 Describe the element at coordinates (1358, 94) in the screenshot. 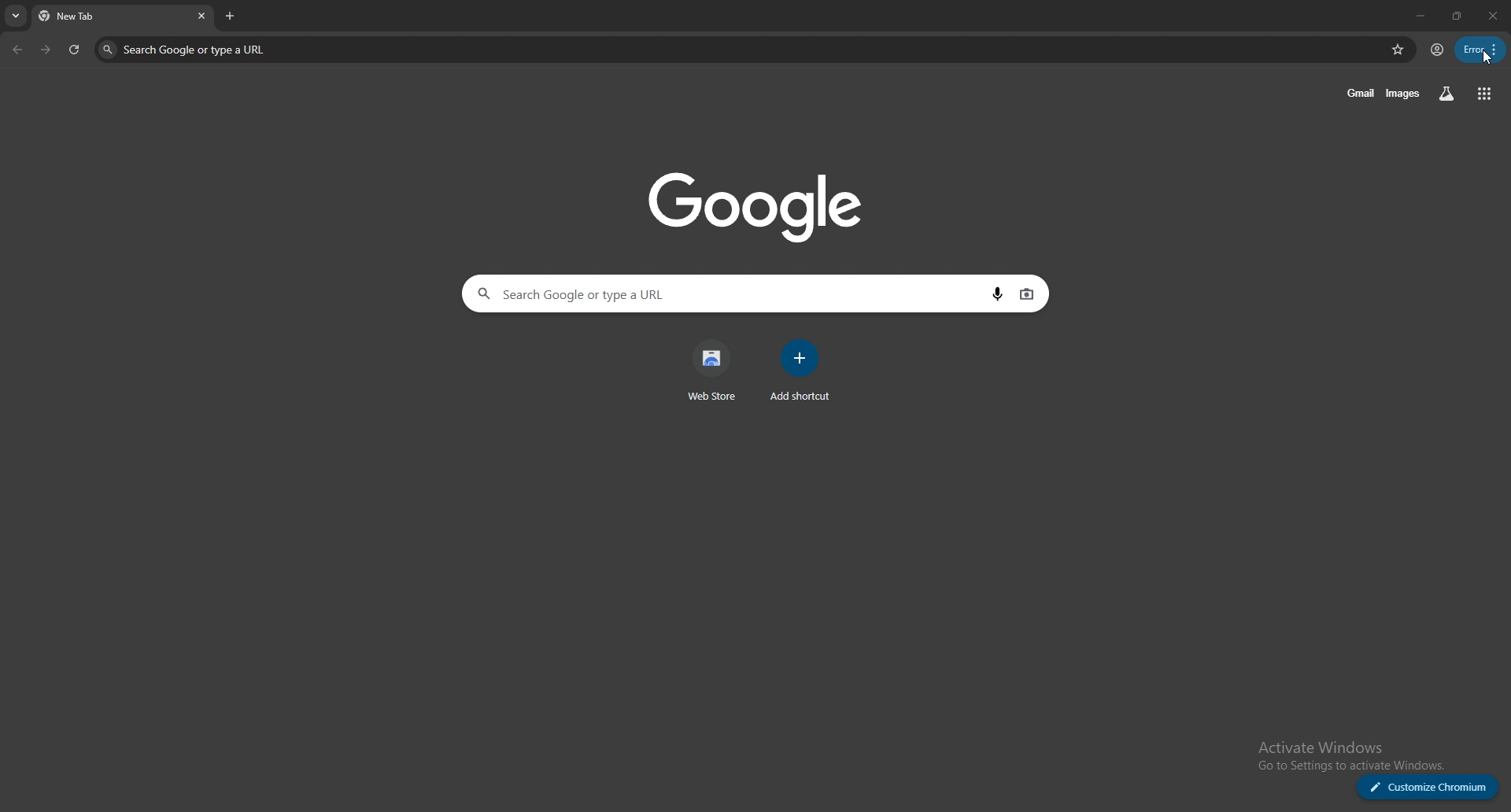

I see `gmail` at that location.